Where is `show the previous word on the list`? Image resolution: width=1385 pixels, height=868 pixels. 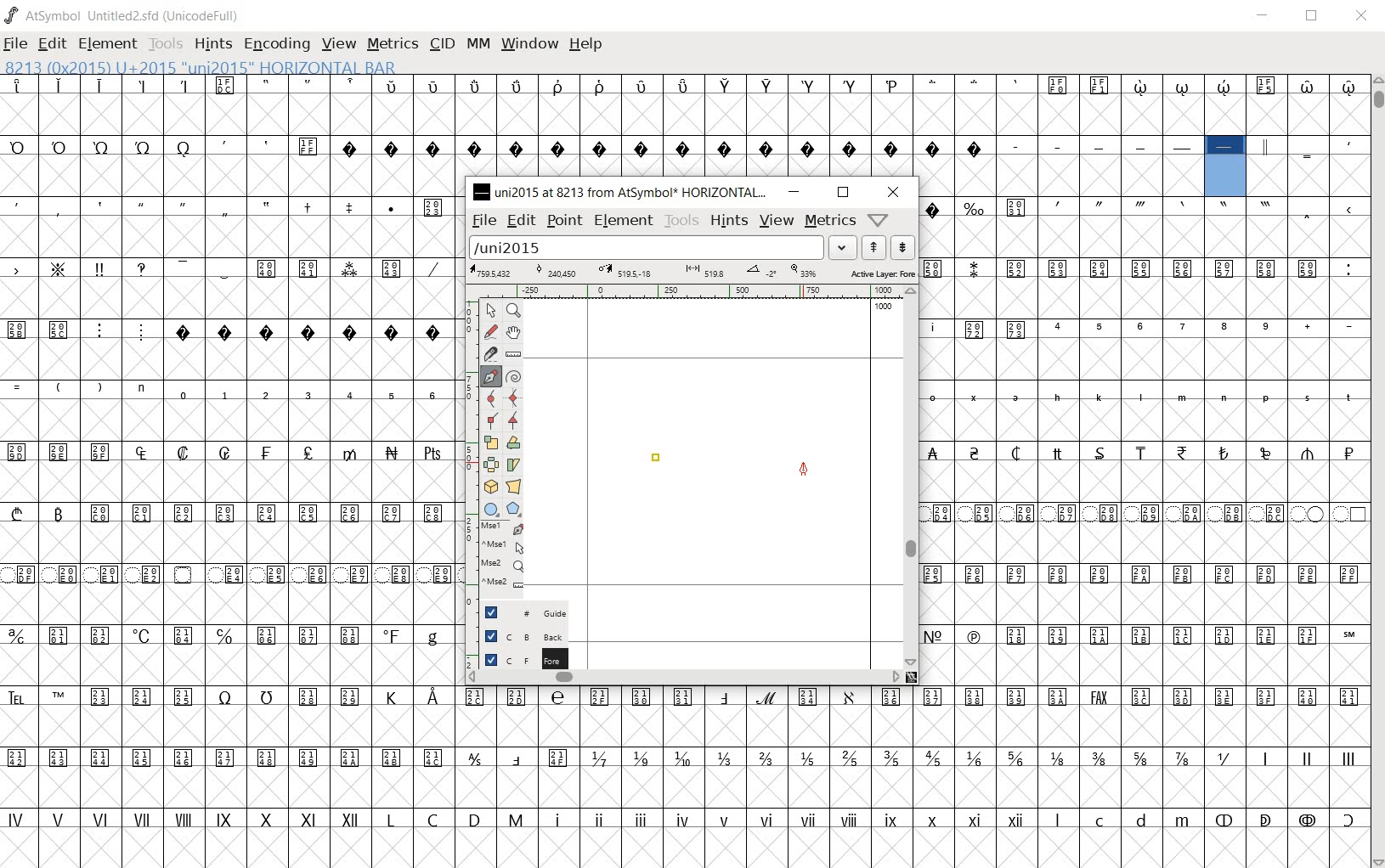 show the previous word on the list is located at coordinates (902, 247).